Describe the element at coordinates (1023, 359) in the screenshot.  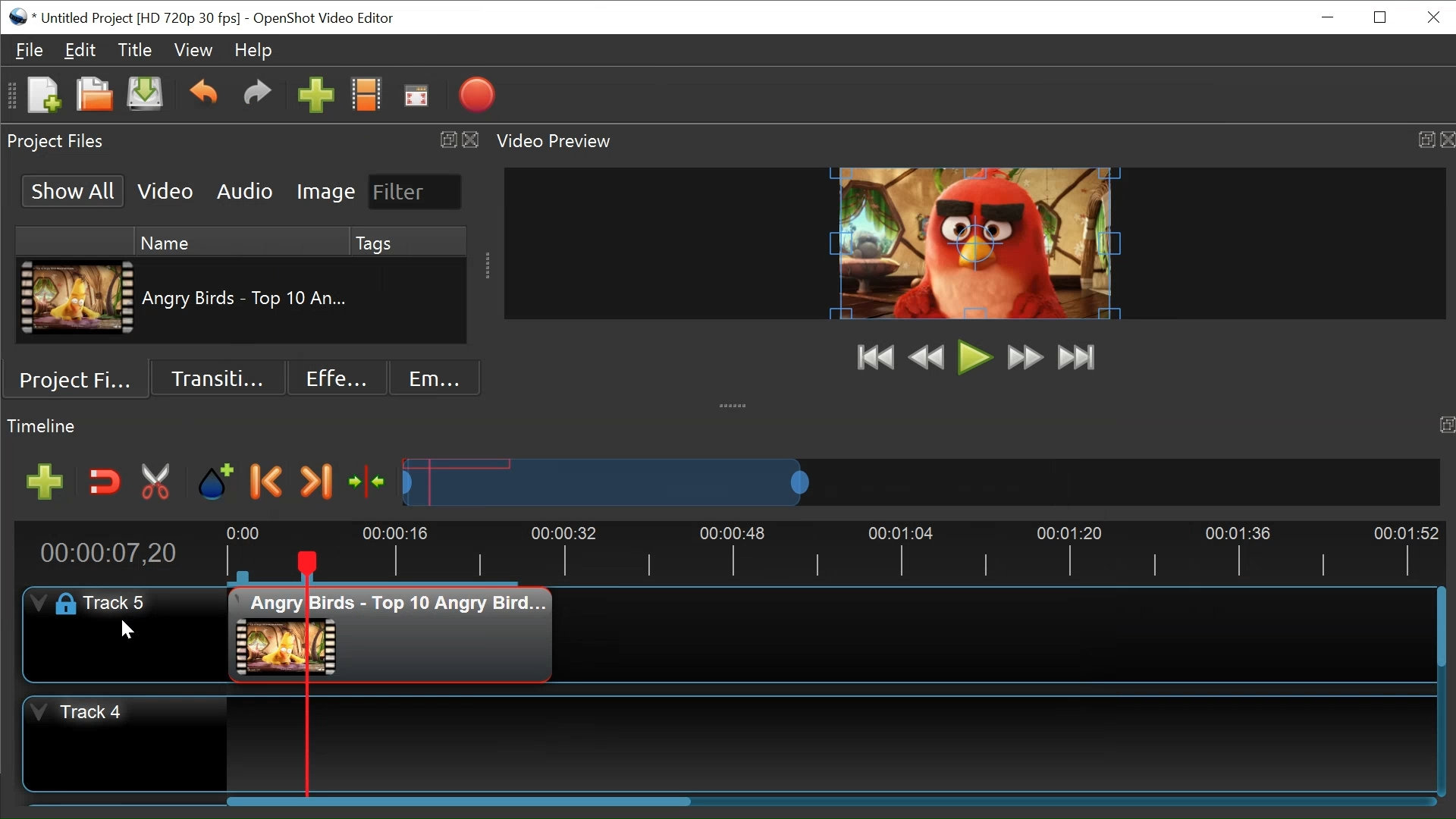
I see `Fast Forward` at that location.